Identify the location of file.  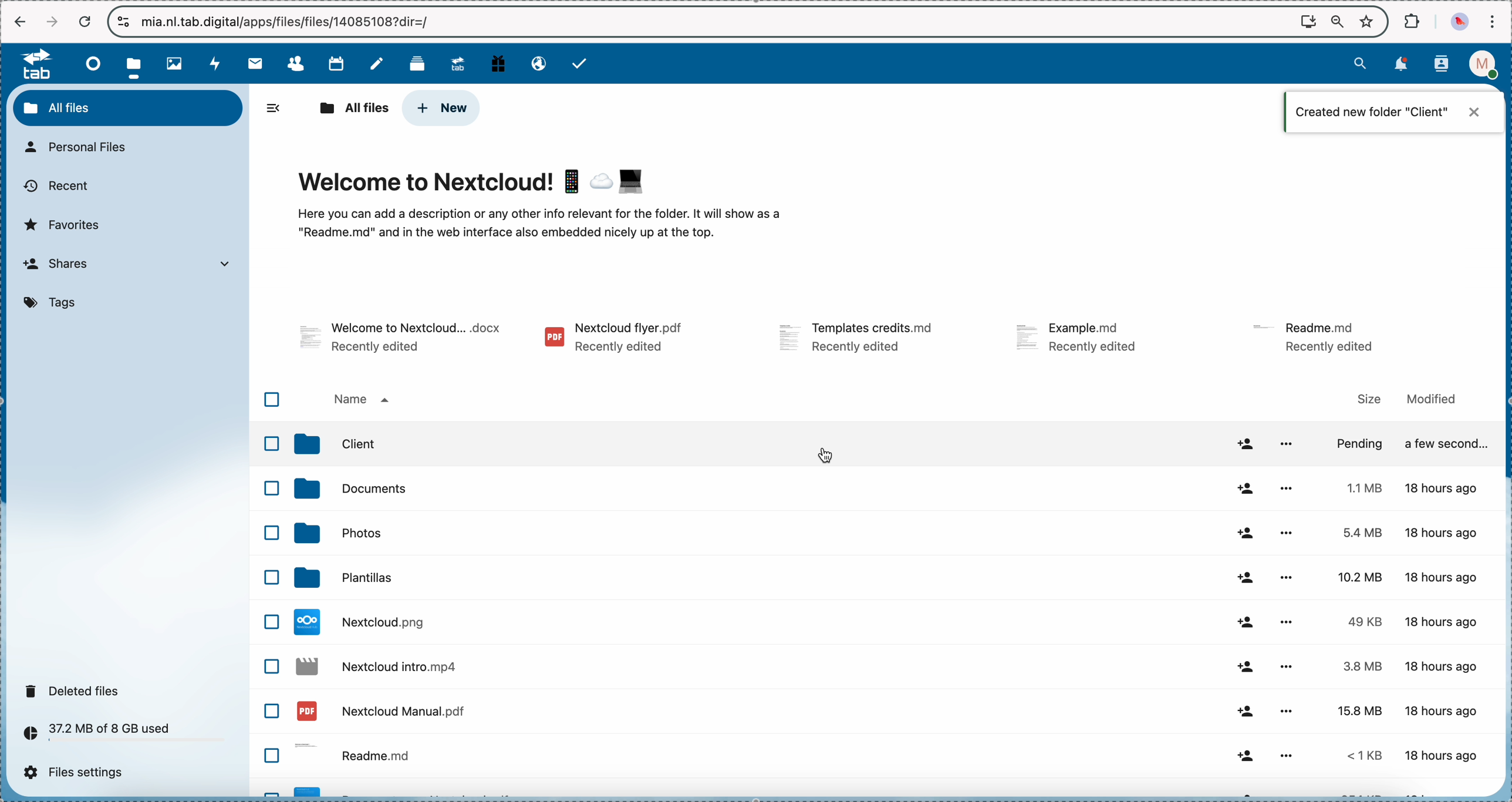
(1318, 336).